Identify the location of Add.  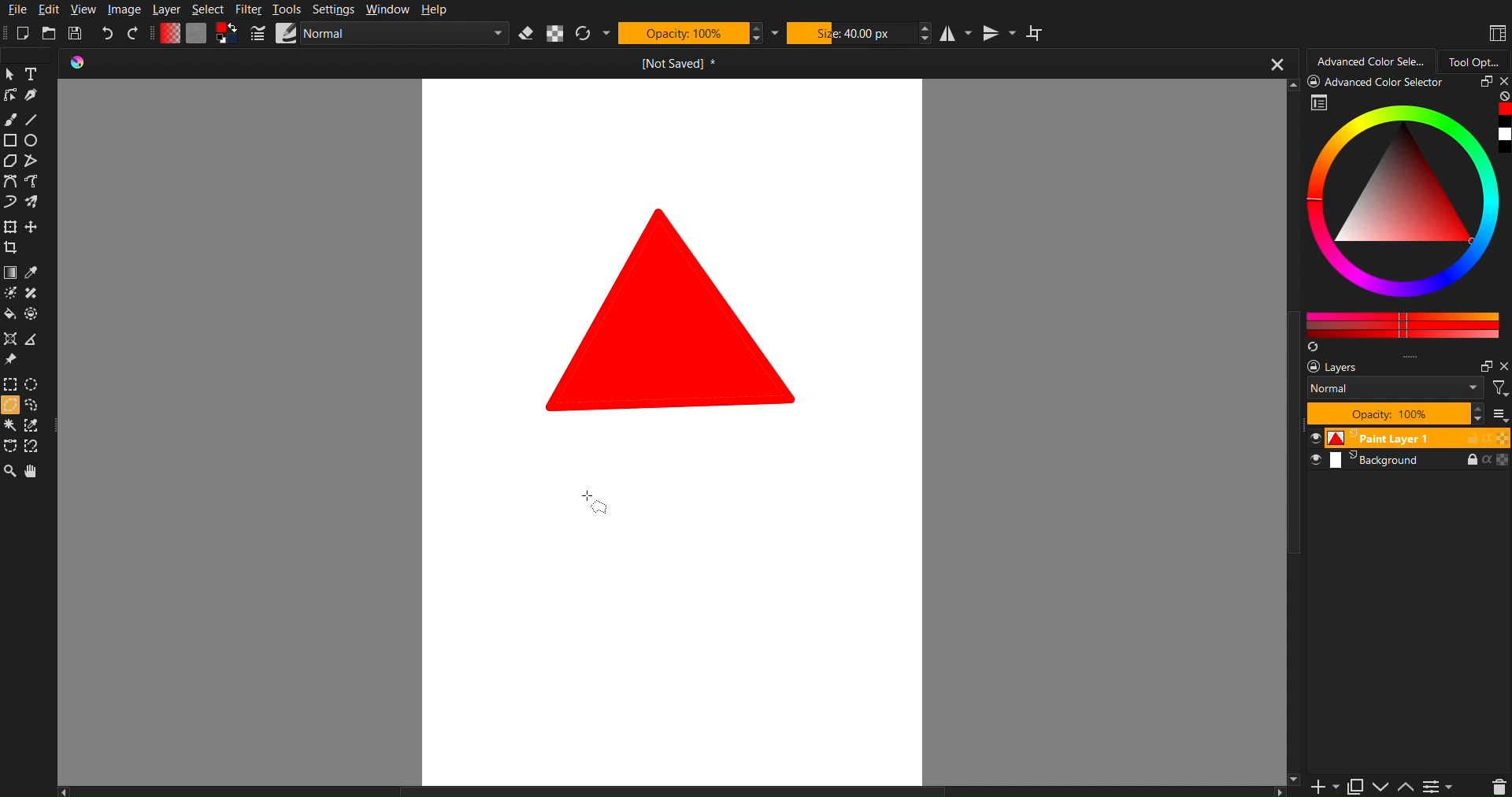
(1320, 787).